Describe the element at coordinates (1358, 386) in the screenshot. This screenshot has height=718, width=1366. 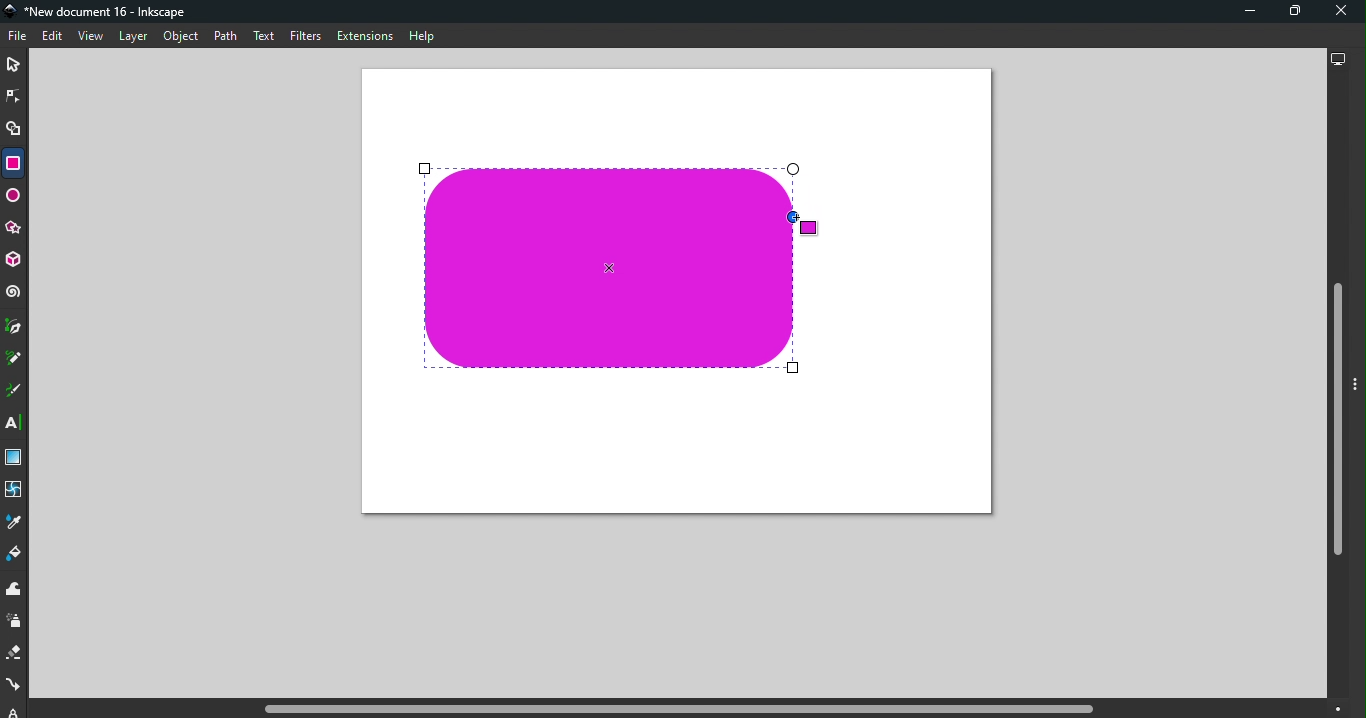
I see `Toggle command panel` at that location.